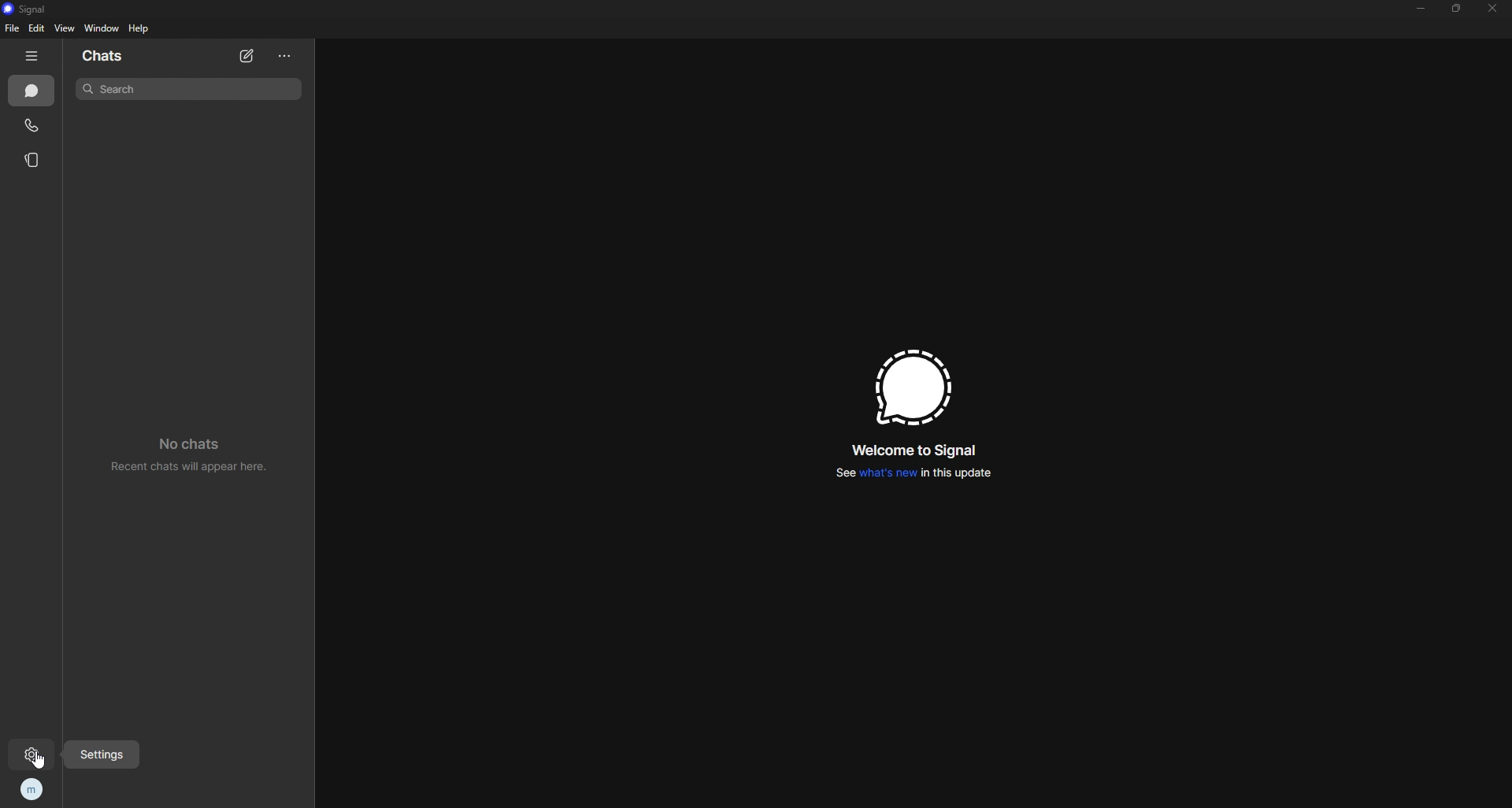  What do you see at coordinates (50, 764) in the screenshot?
I see `cursor` at bounding box center [50, 764].